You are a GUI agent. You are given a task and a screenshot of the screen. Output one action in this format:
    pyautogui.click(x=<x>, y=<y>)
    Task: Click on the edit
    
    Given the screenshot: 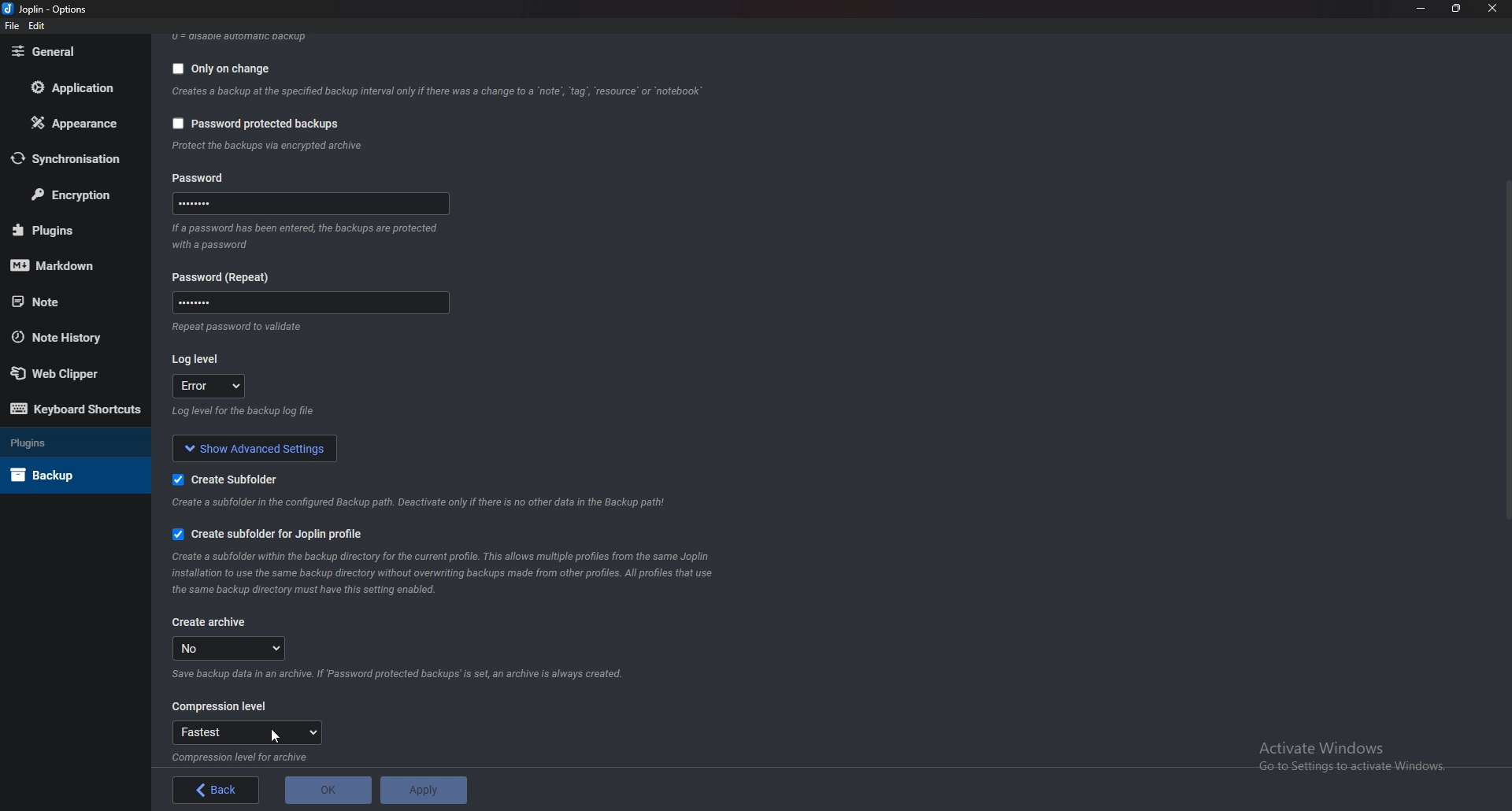 What is the action you would take?
    pyautogui.click(x=38, y=26)
    